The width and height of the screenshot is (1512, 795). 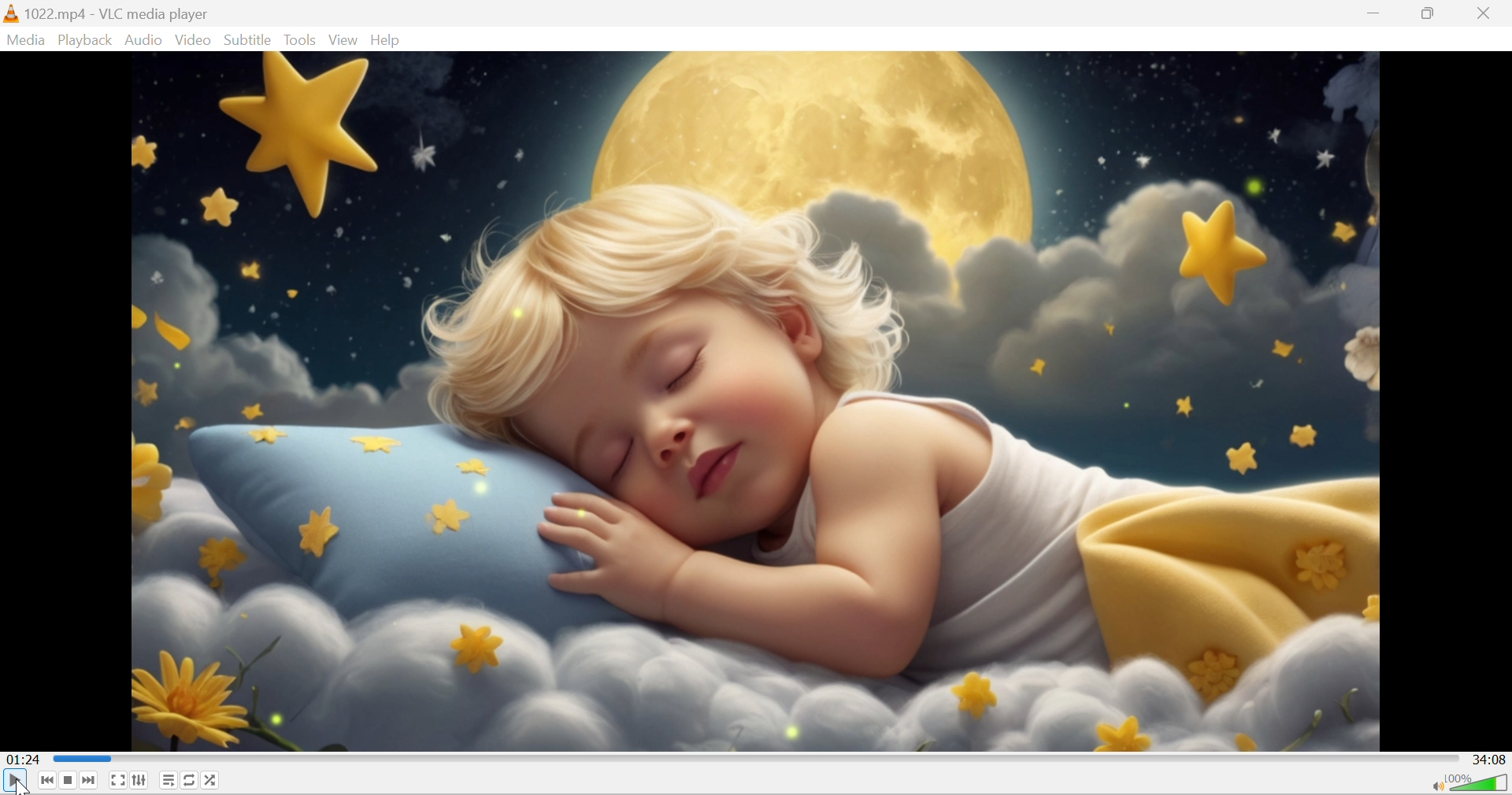 I want to click on View, so click(x=343, y=41).